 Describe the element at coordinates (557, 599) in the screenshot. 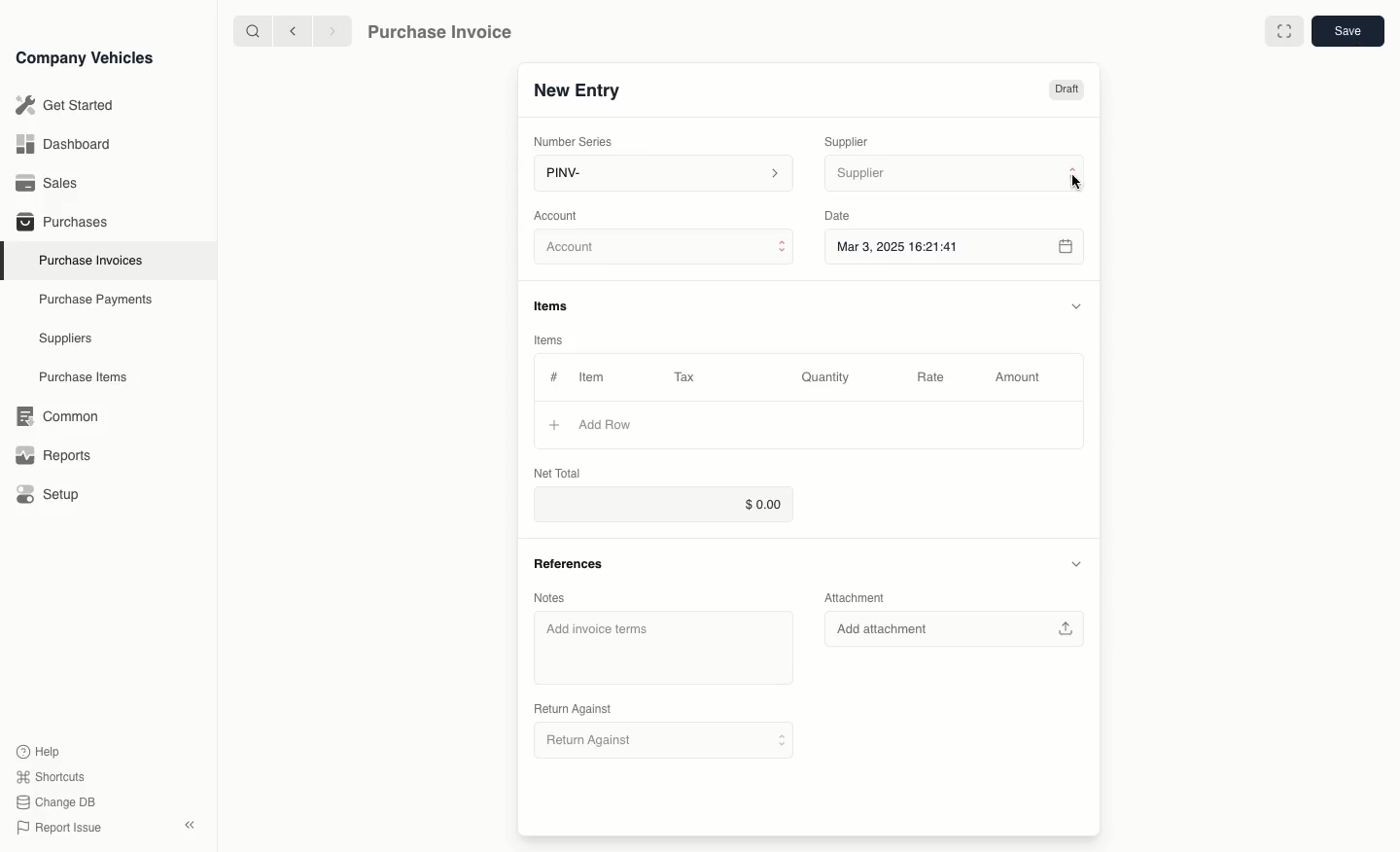

I see `Notes.` at that location.